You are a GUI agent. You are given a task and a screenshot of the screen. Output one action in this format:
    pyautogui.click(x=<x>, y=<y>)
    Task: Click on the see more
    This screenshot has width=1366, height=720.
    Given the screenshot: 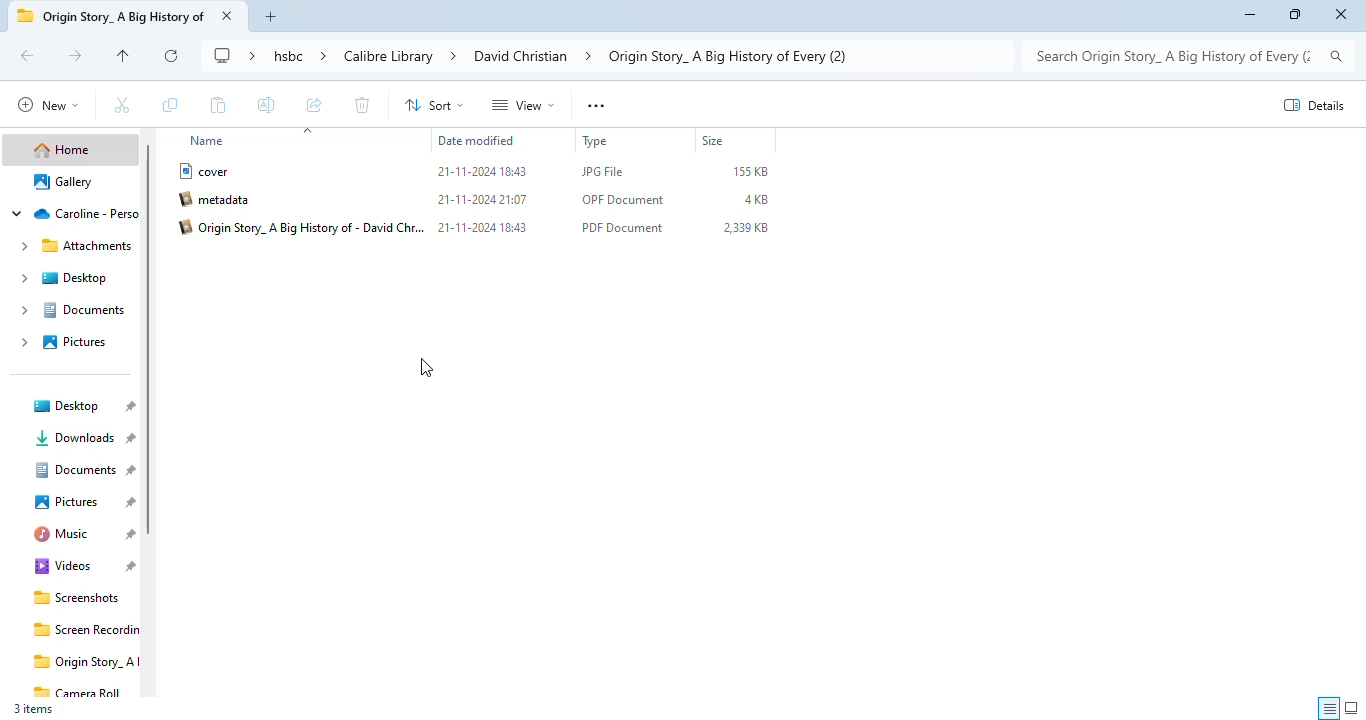 What is the action you would take?
    pyautogui.click(x=597, y=105)
    